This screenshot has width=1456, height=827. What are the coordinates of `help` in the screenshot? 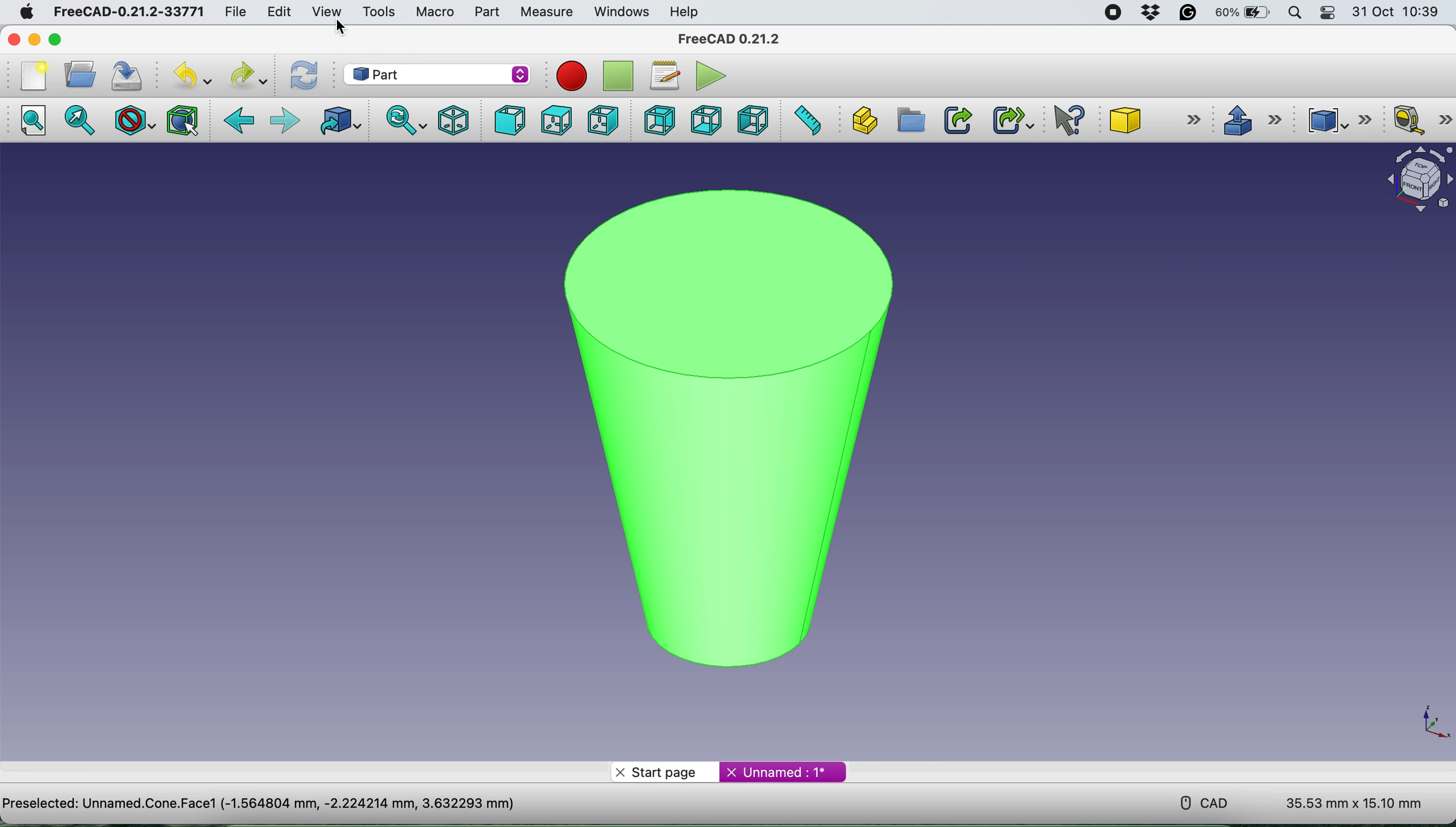 It's located at (685, 11).